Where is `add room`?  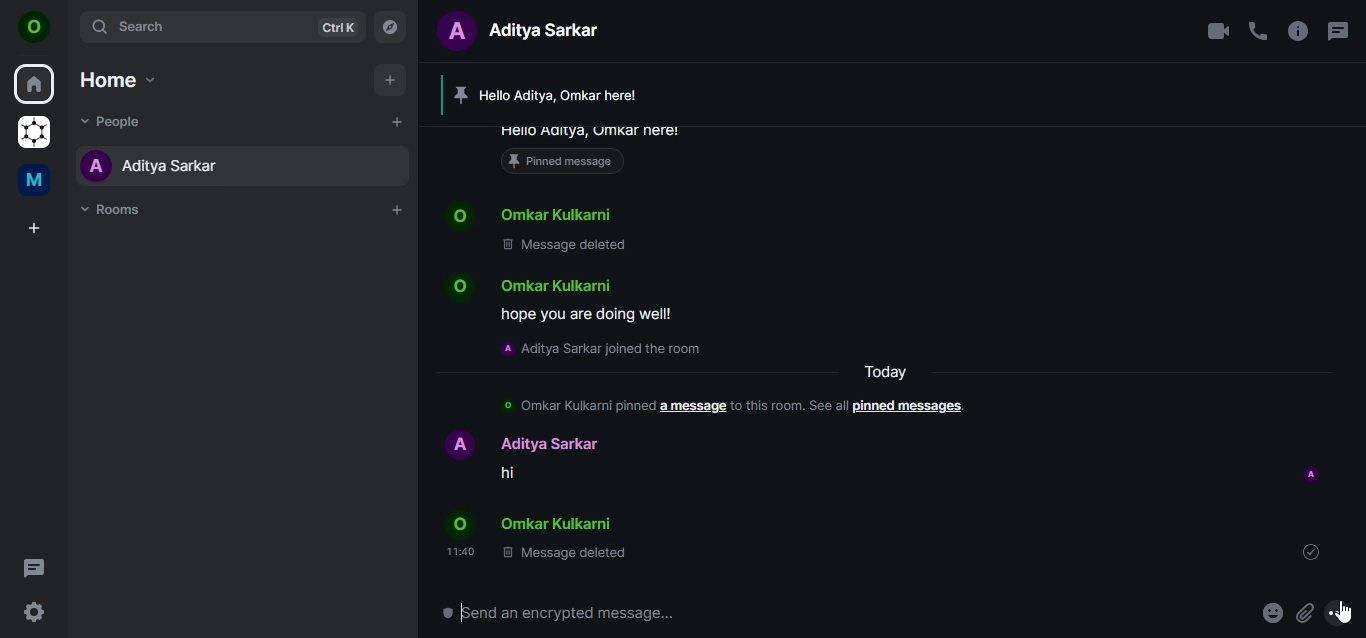
add room is located at coordinates (398, 210).